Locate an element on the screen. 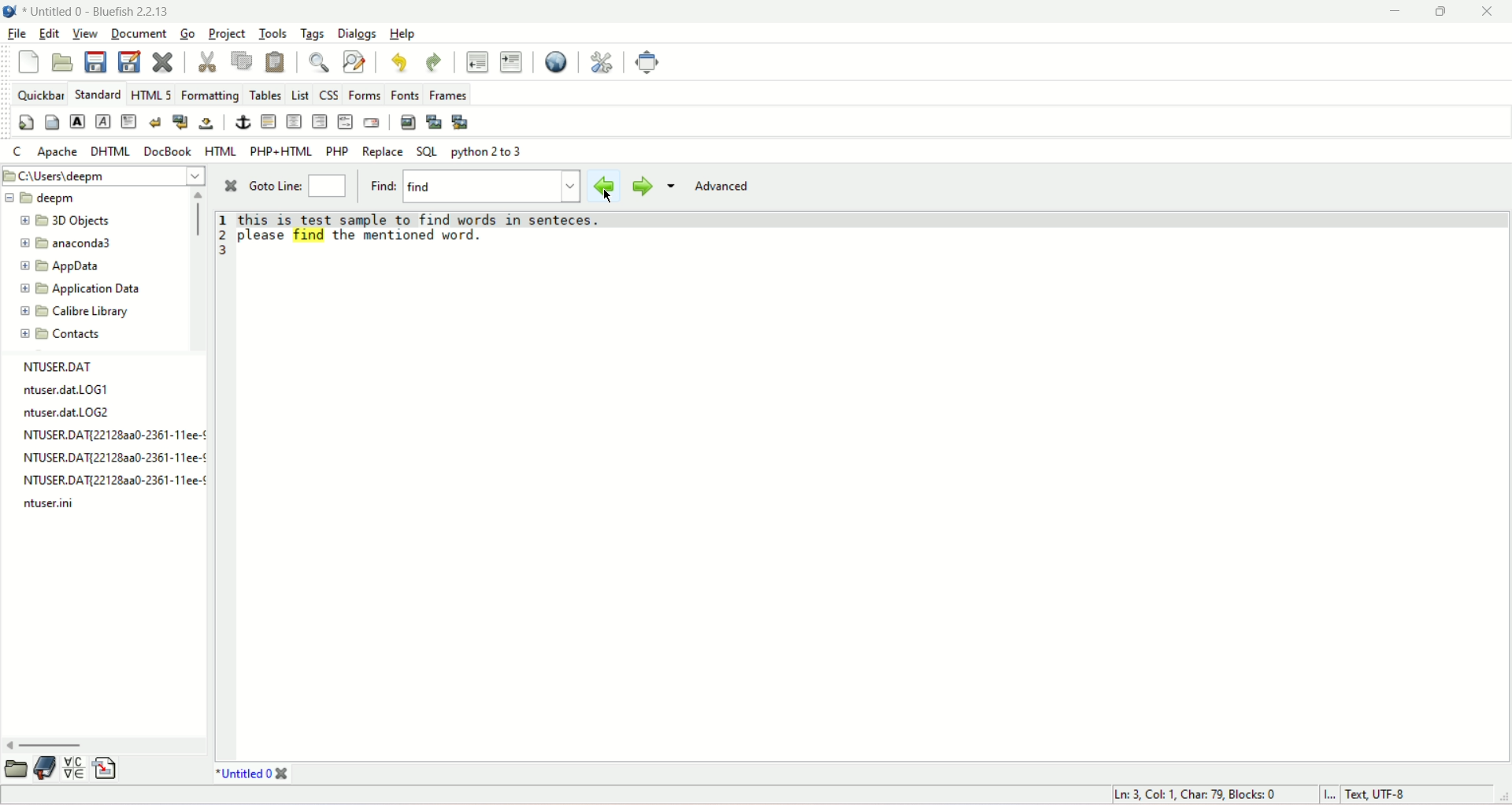 This screenshot has width=1512, height=805. 3D objects is located at coordinates (69, 220).